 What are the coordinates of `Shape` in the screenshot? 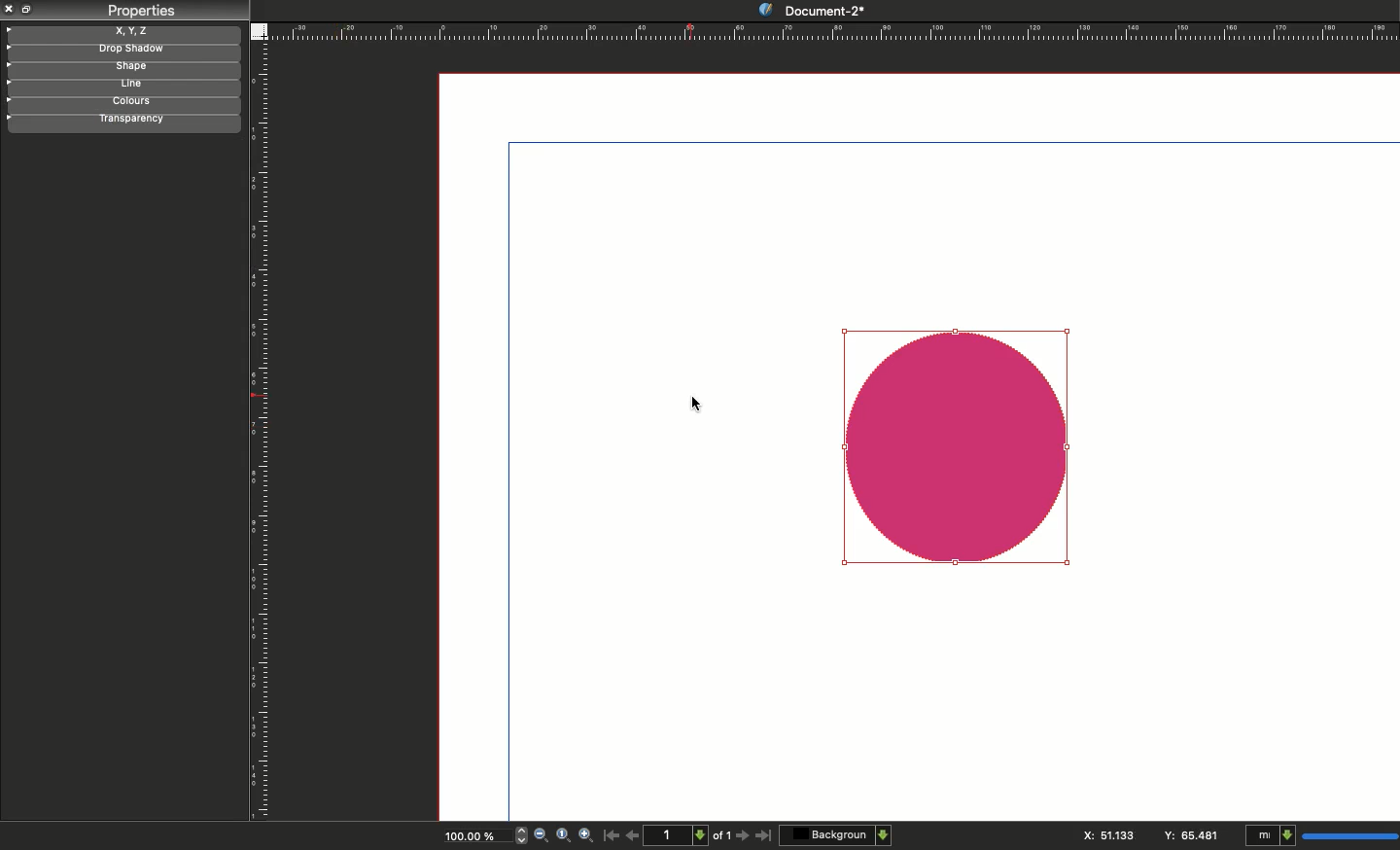 It's located at (956, 443).